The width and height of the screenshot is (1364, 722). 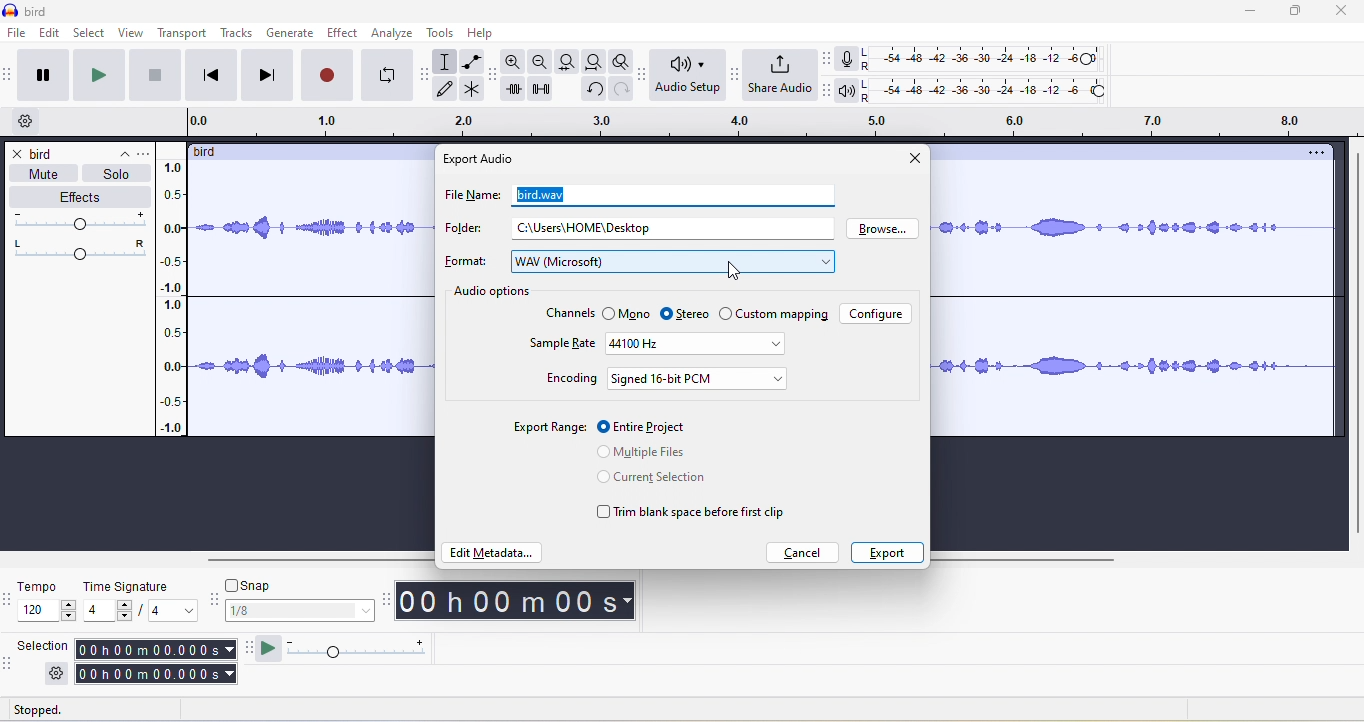 What do you see at coordinates (694, 344) in the screenshot?
I see `44100hz` at bounding box center [694, 344].